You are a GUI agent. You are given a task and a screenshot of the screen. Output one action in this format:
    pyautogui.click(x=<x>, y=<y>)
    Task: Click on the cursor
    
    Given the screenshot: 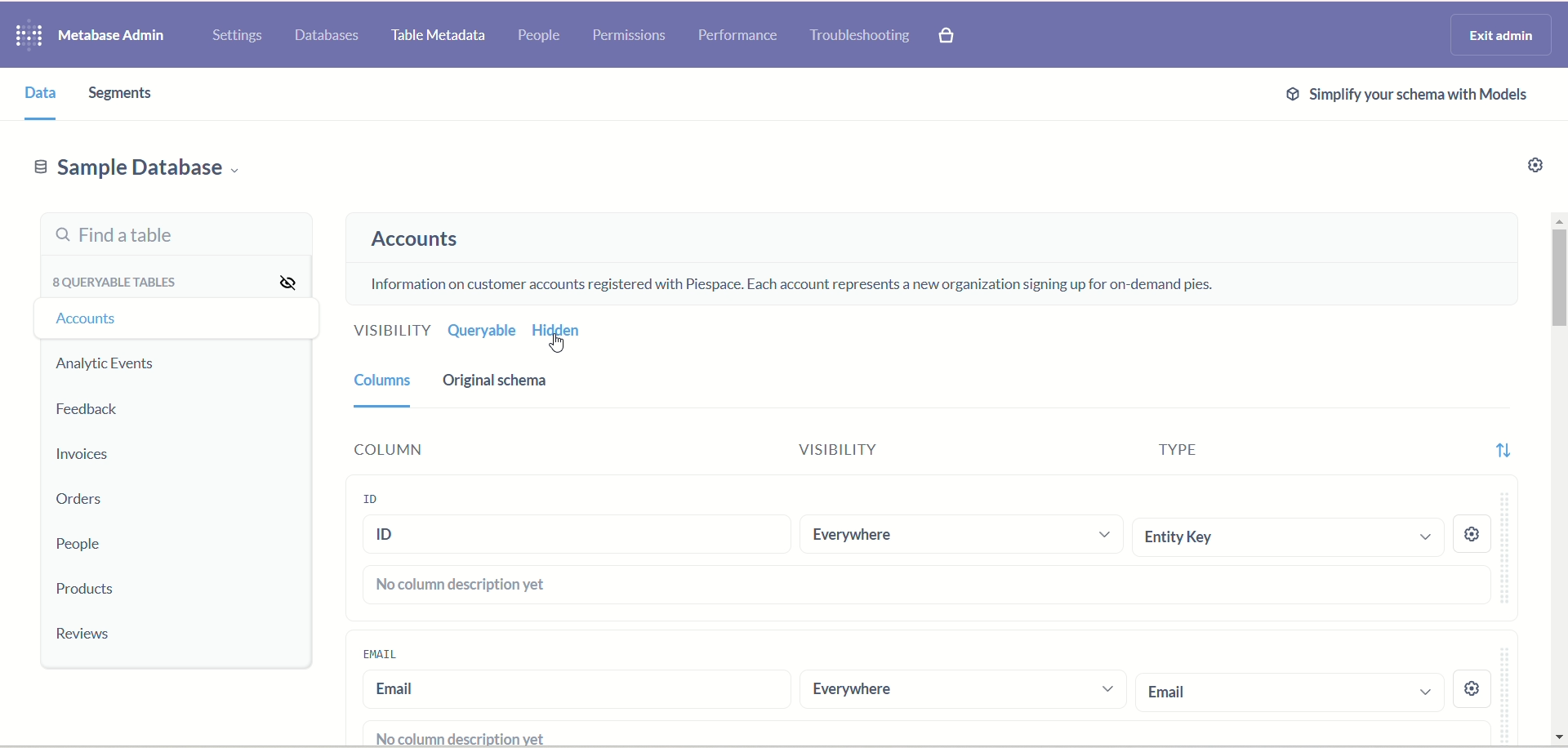 What is the action you would take?
    pyautogui.click(x=570, y=345)
    